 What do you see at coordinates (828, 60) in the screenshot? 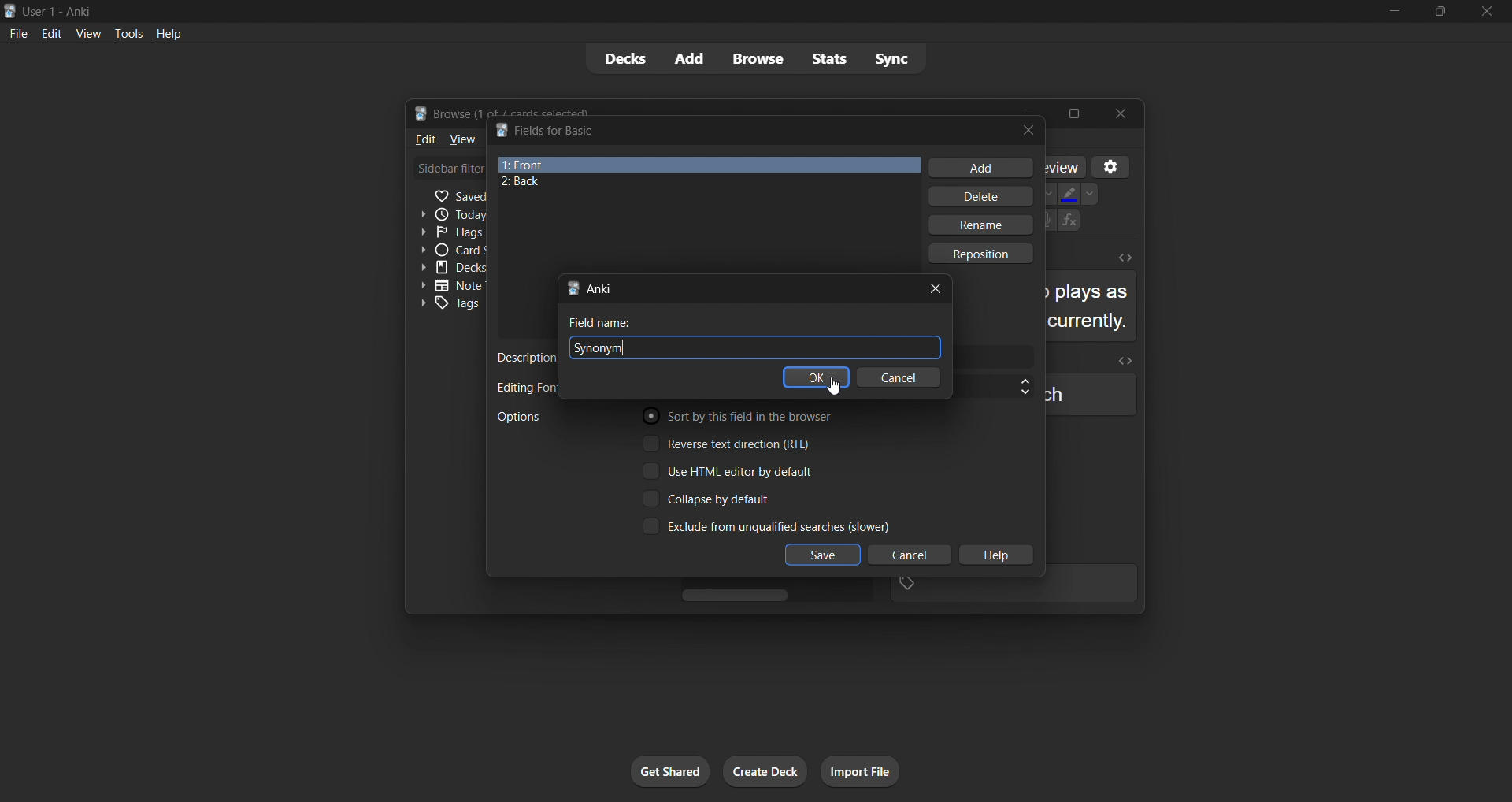
I see `stats` at bounding box center [828, 60].